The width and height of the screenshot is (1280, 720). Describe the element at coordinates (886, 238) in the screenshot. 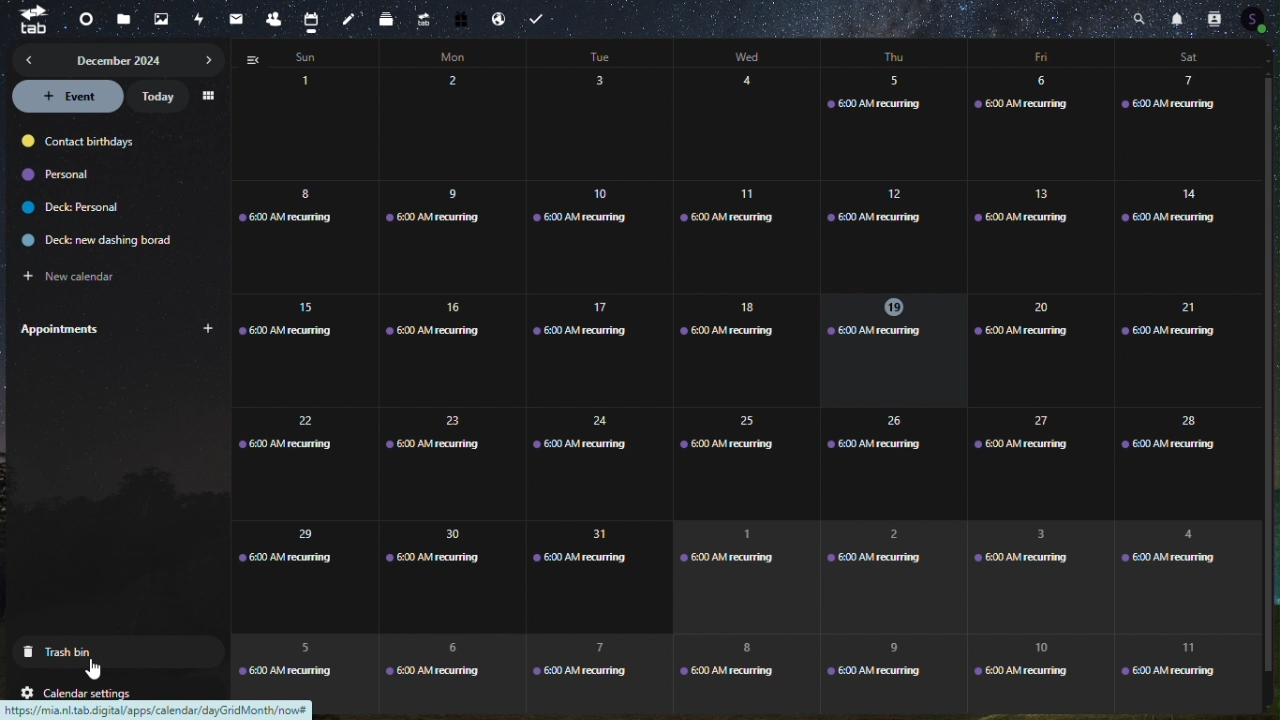

I see `12` at that location.